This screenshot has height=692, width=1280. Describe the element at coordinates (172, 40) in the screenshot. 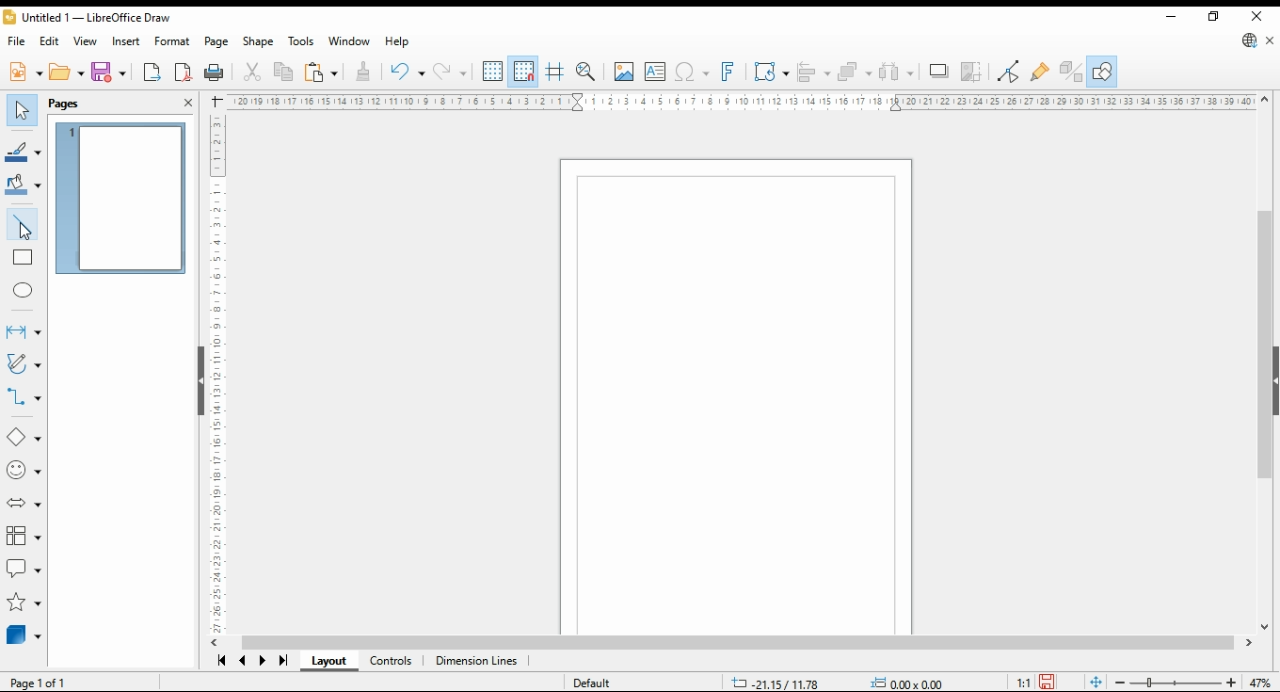

I see `format` at that location.